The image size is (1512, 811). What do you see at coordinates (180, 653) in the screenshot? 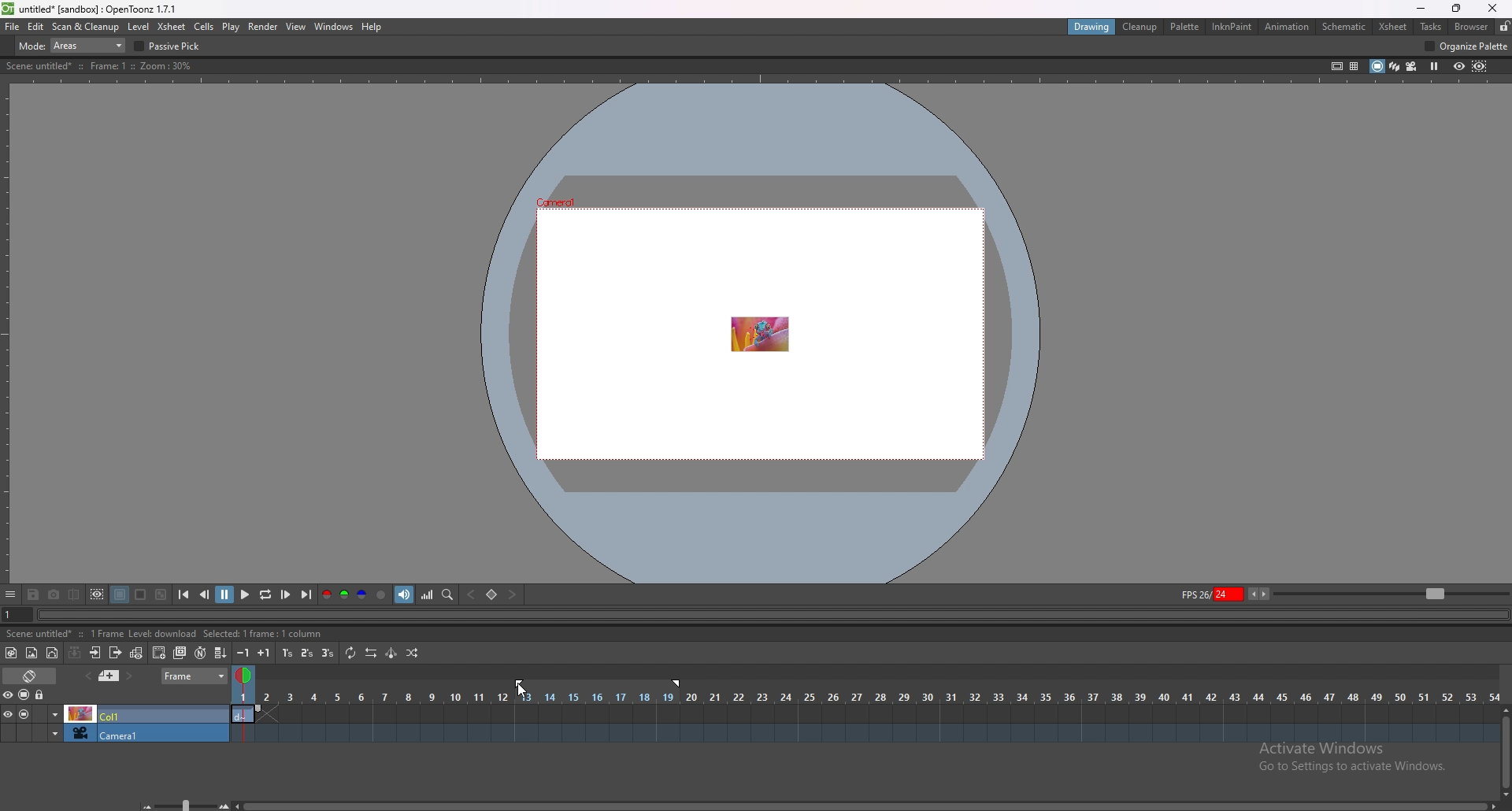
I see `duplicate drawing` at bounding box center [180, 653].